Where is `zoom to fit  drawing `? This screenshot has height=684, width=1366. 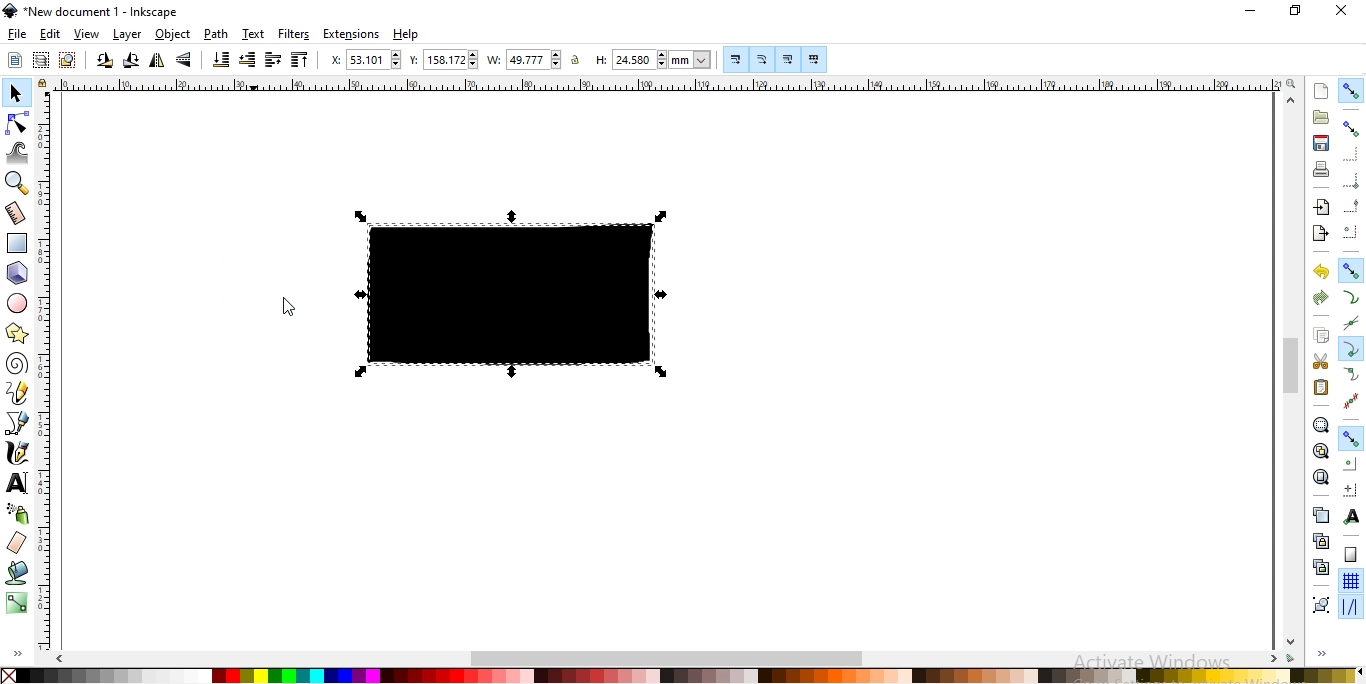 zoom to fit  drawing  is located at coordinates (1319, 451).